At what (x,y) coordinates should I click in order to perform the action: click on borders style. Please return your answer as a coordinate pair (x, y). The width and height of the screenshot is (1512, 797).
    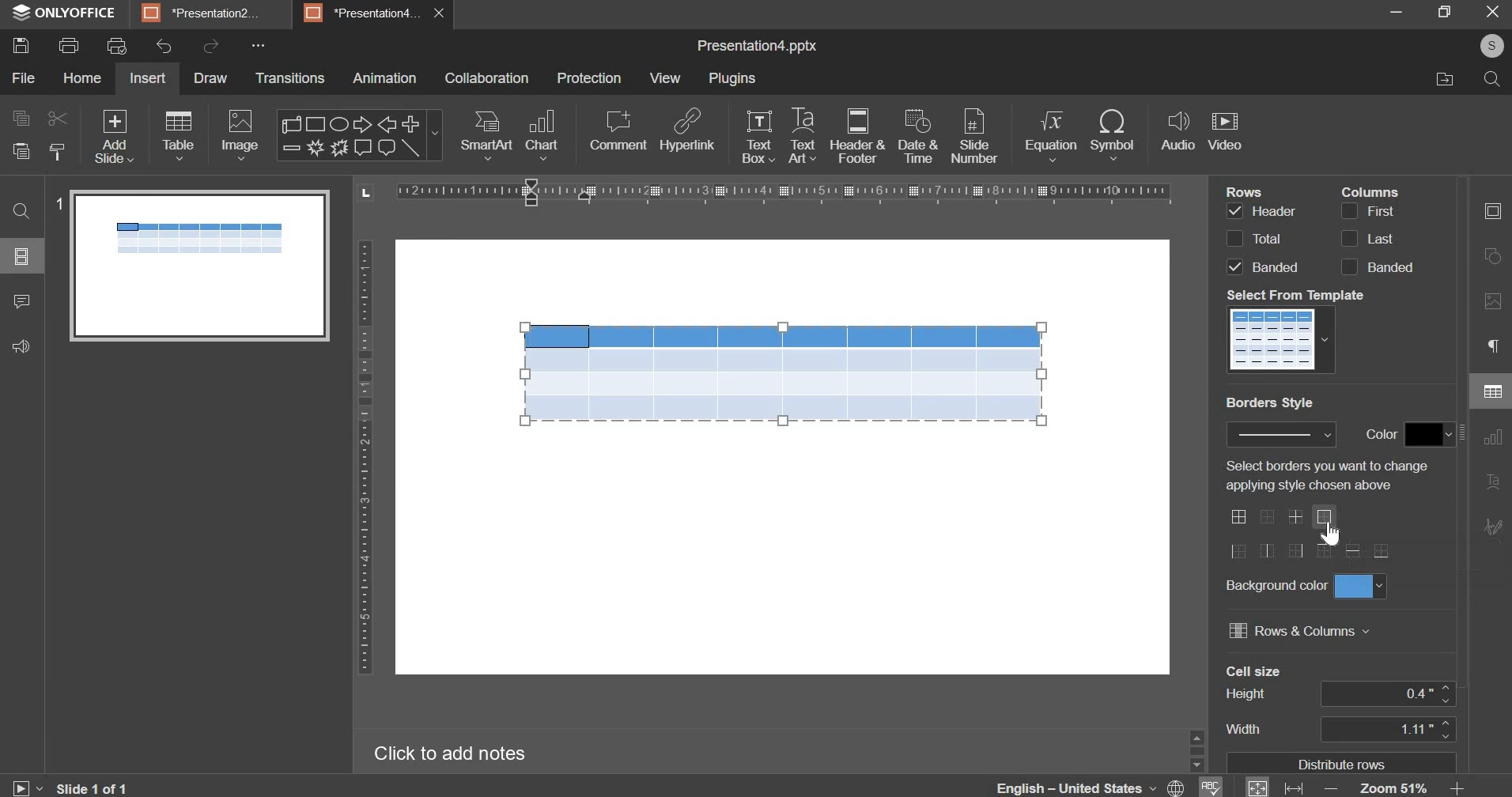
    Looking at the image, I should click on (1269, 400).